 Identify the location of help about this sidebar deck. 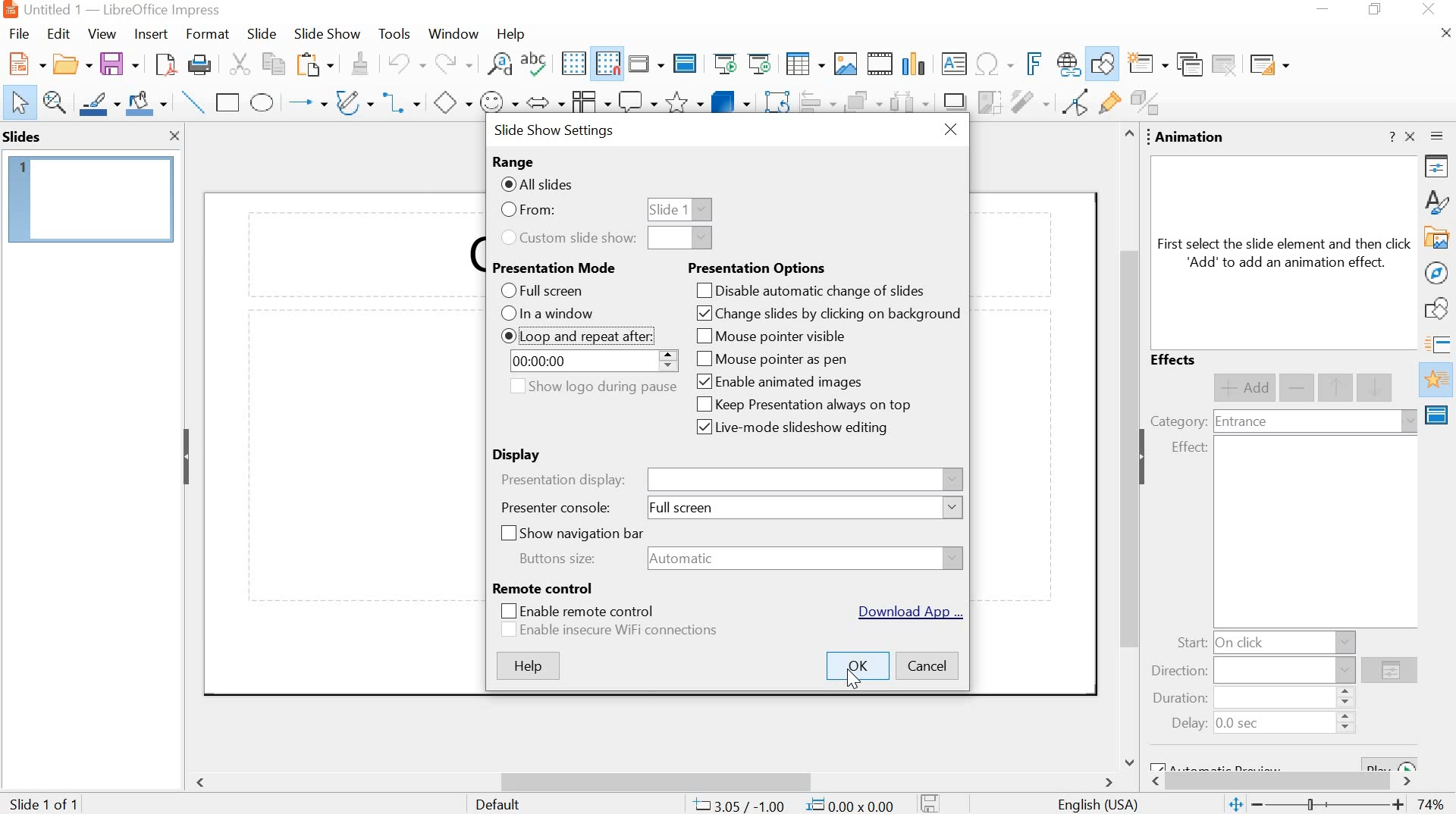
(1391, 136).